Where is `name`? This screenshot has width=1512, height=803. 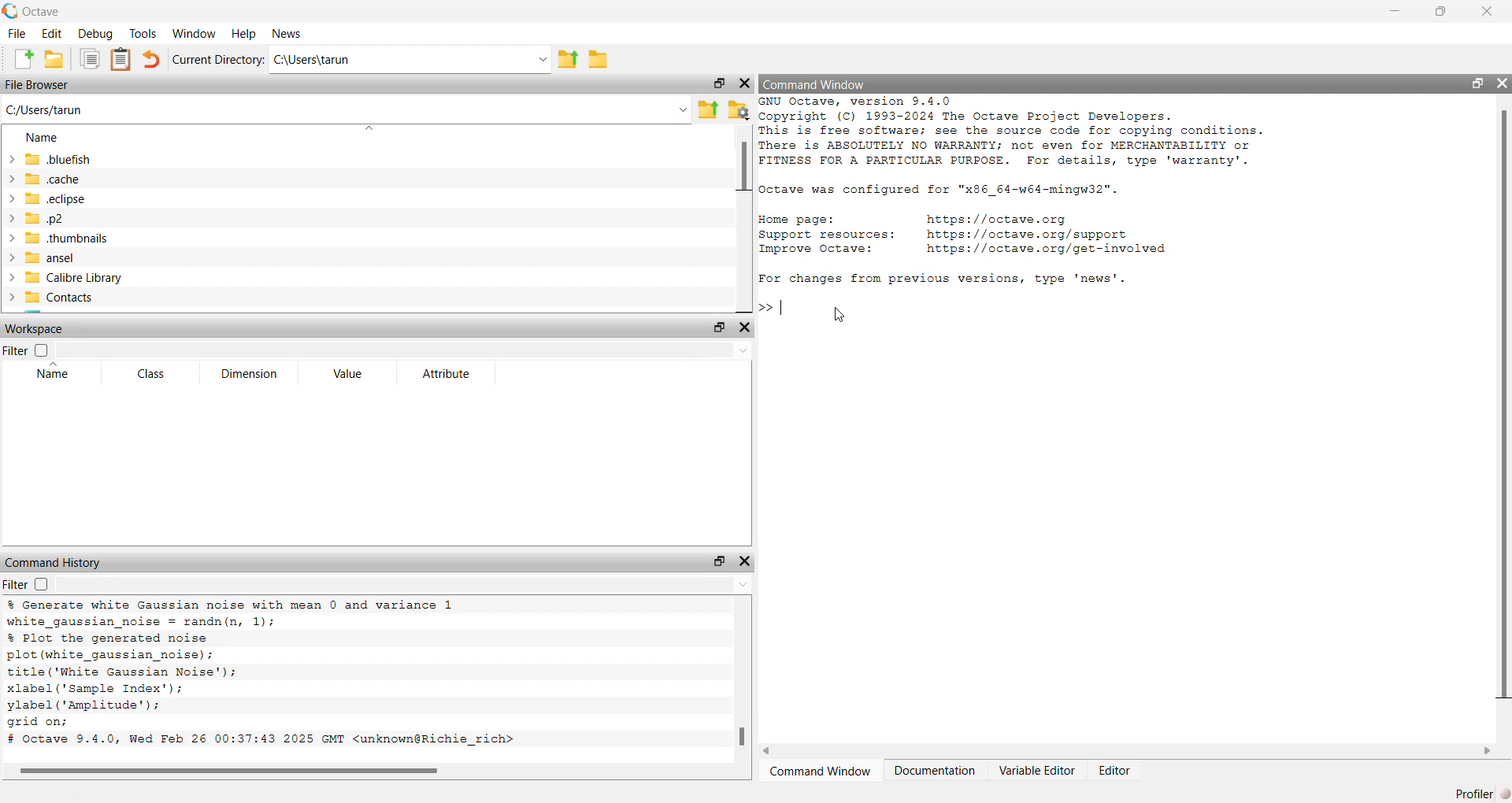
name is located at coordinates (49, 136).